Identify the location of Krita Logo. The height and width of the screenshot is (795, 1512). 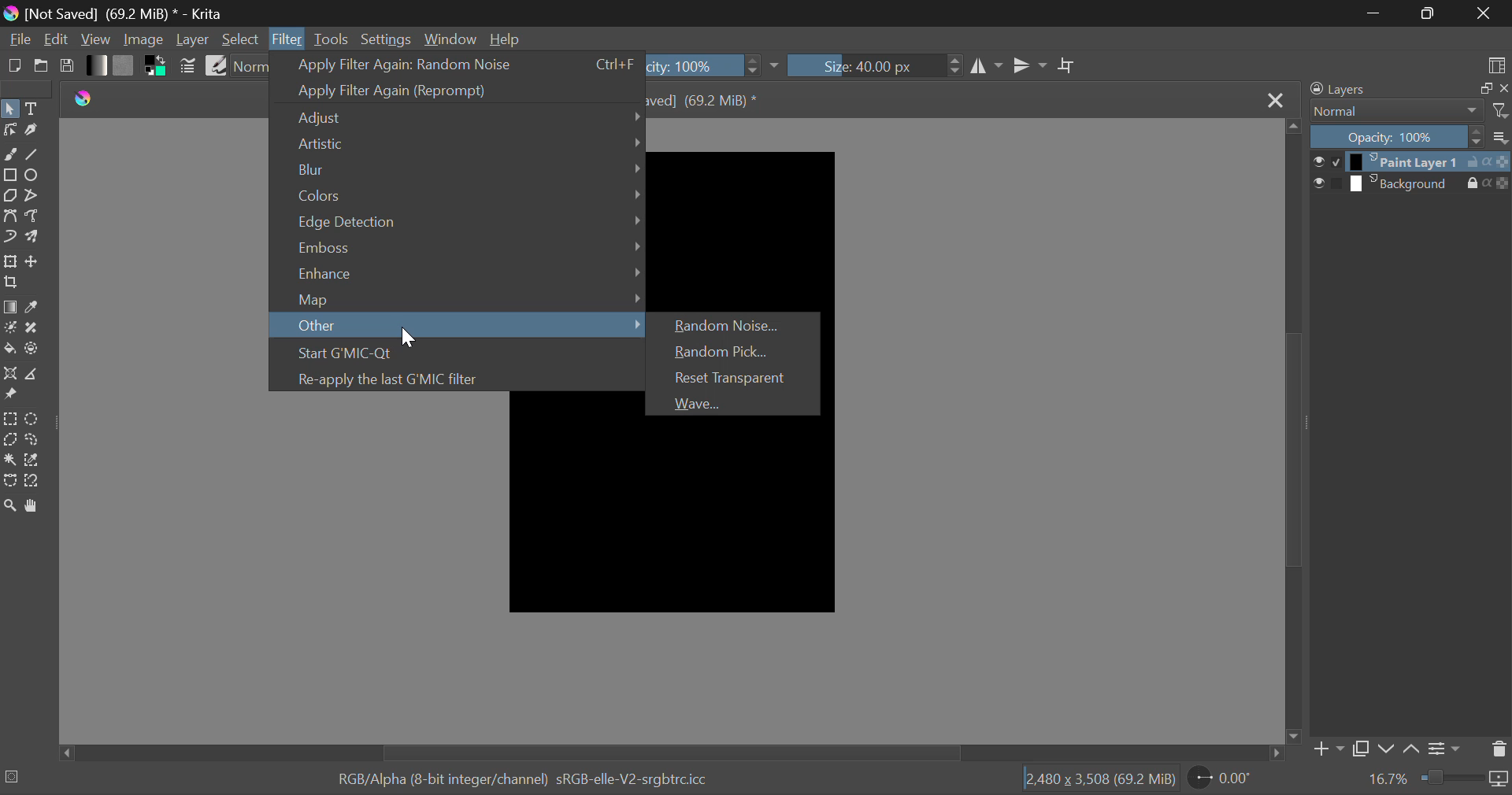
(85, 97).